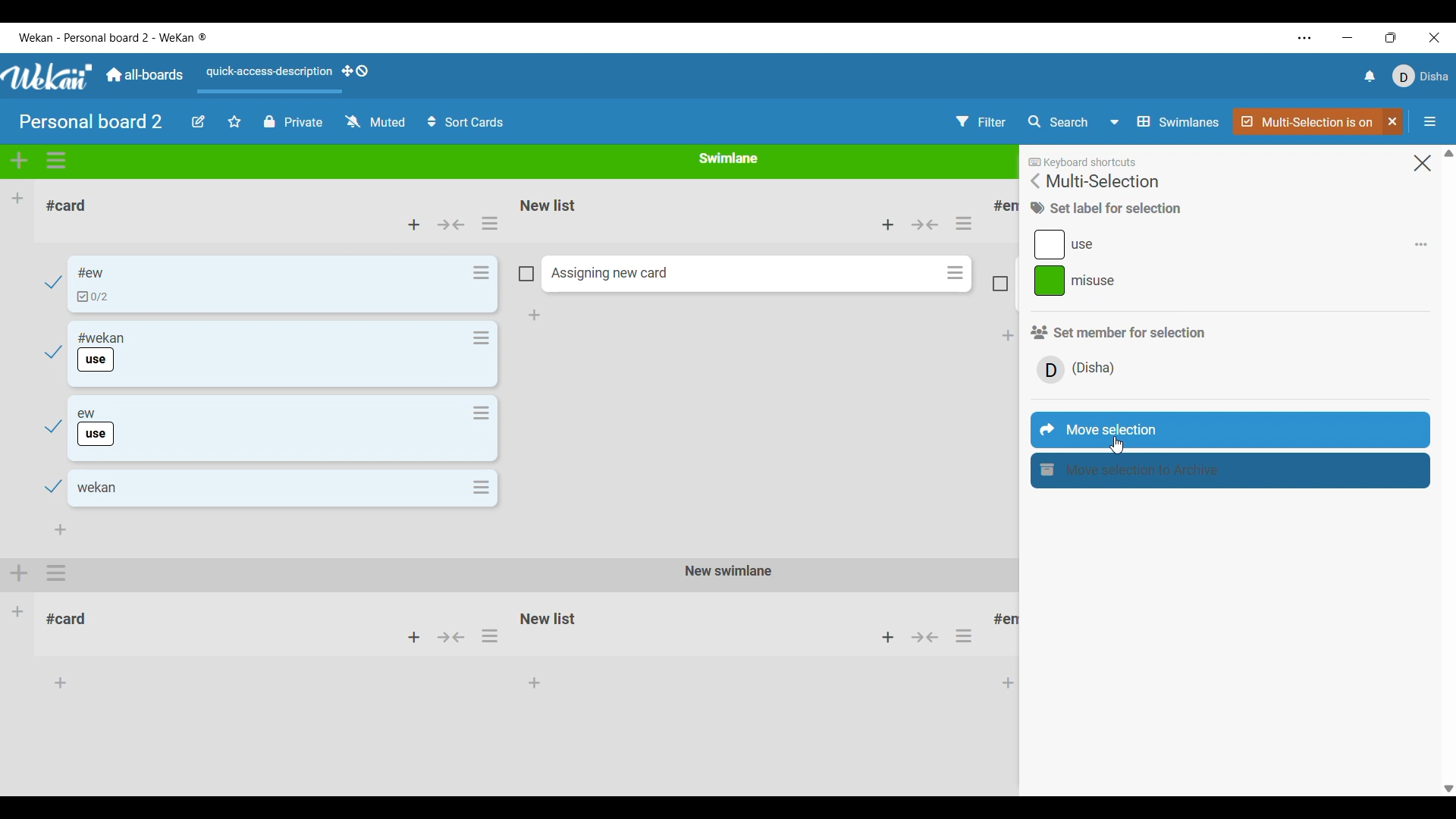 The height and width of the screenshot is (819, 1456). What do you see at coordinates (1082, 162) in the screenshot?
I see `Indicates there are keyboard shortcuts` at bounding box center [1082, 162].